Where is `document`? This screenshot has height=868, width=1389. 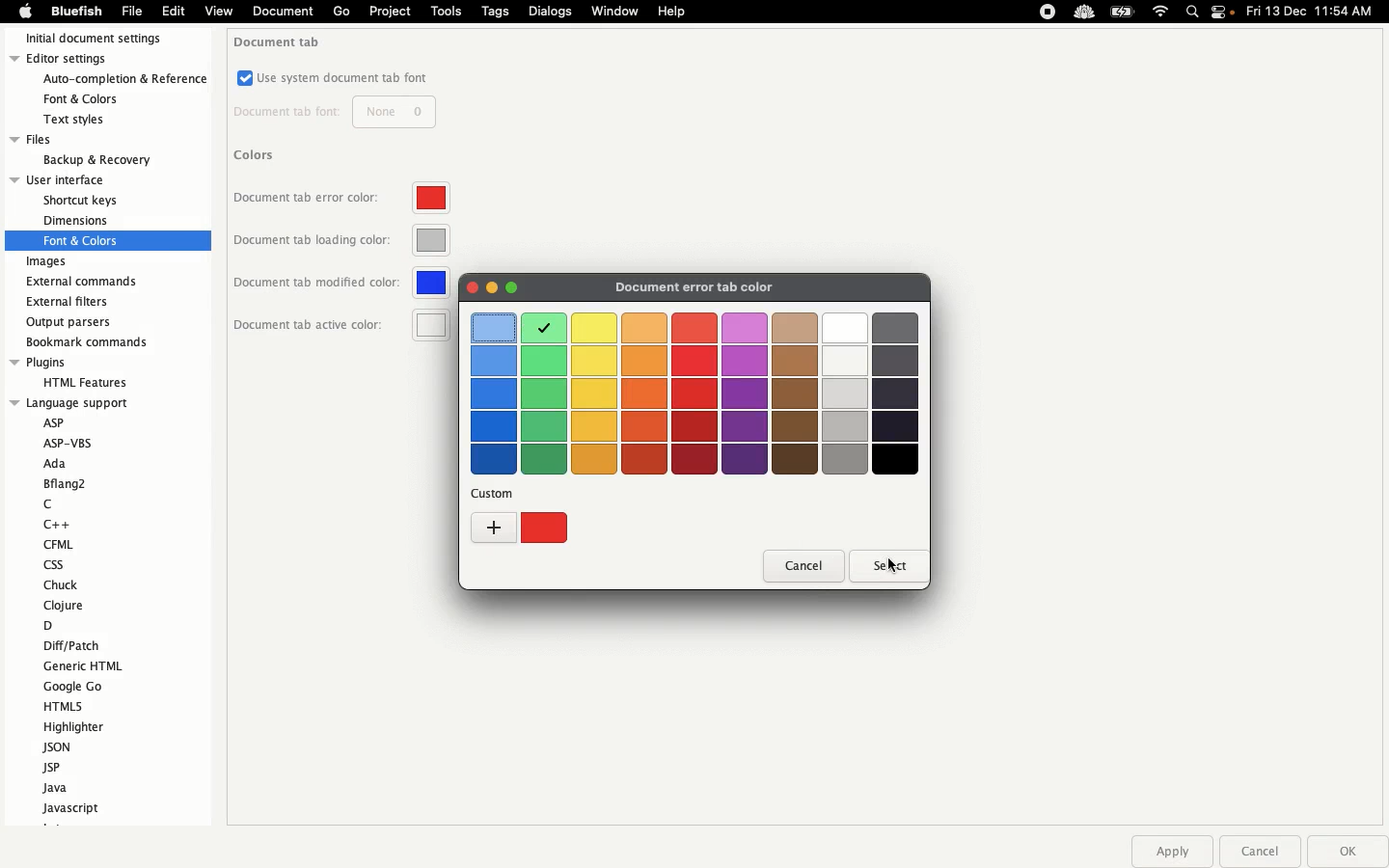
document is located at coordinates (281, 13).